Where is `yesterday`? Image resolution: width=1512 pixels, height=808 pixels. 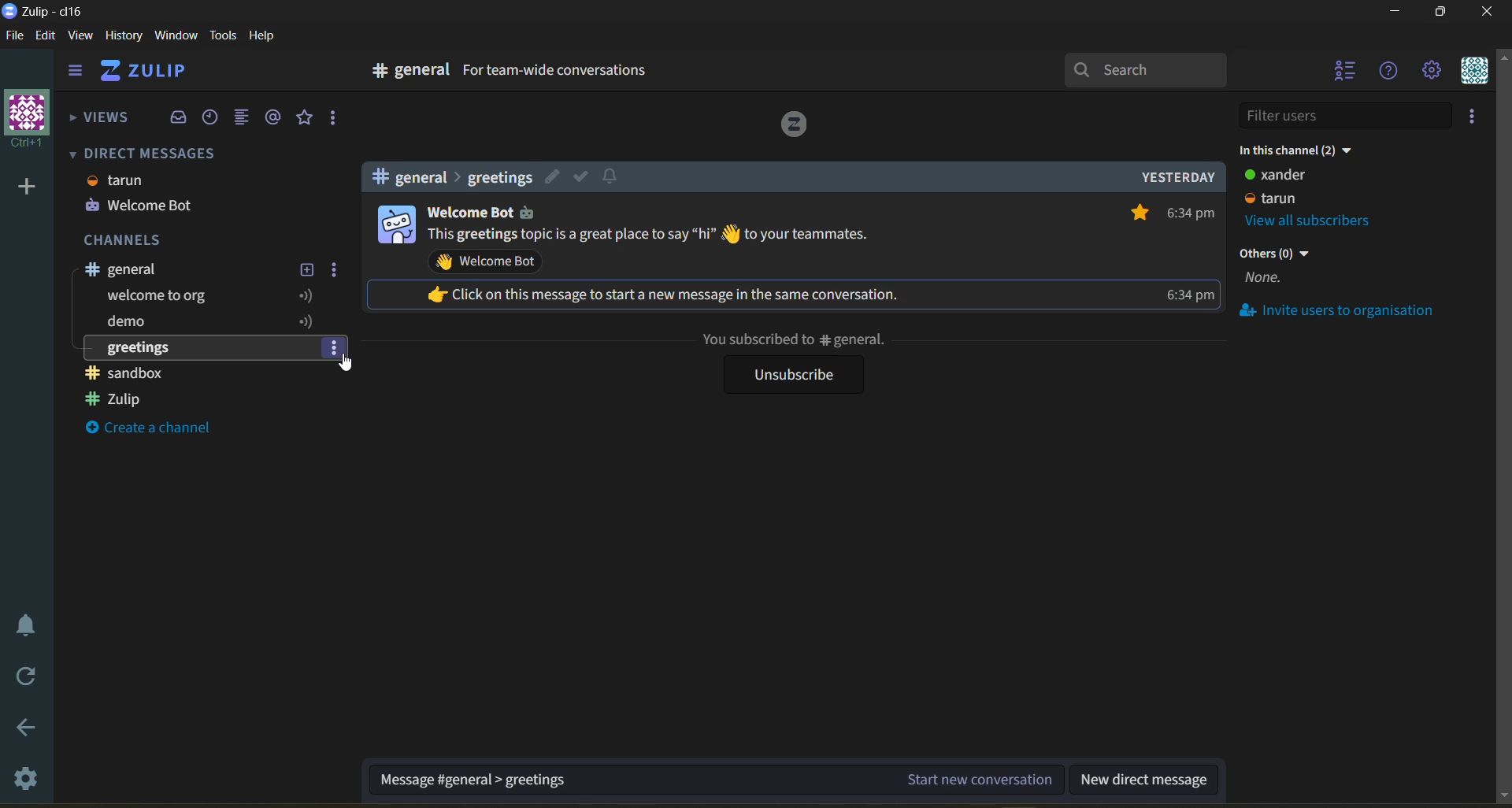 yesterday is located at coordinates (1177, 176).